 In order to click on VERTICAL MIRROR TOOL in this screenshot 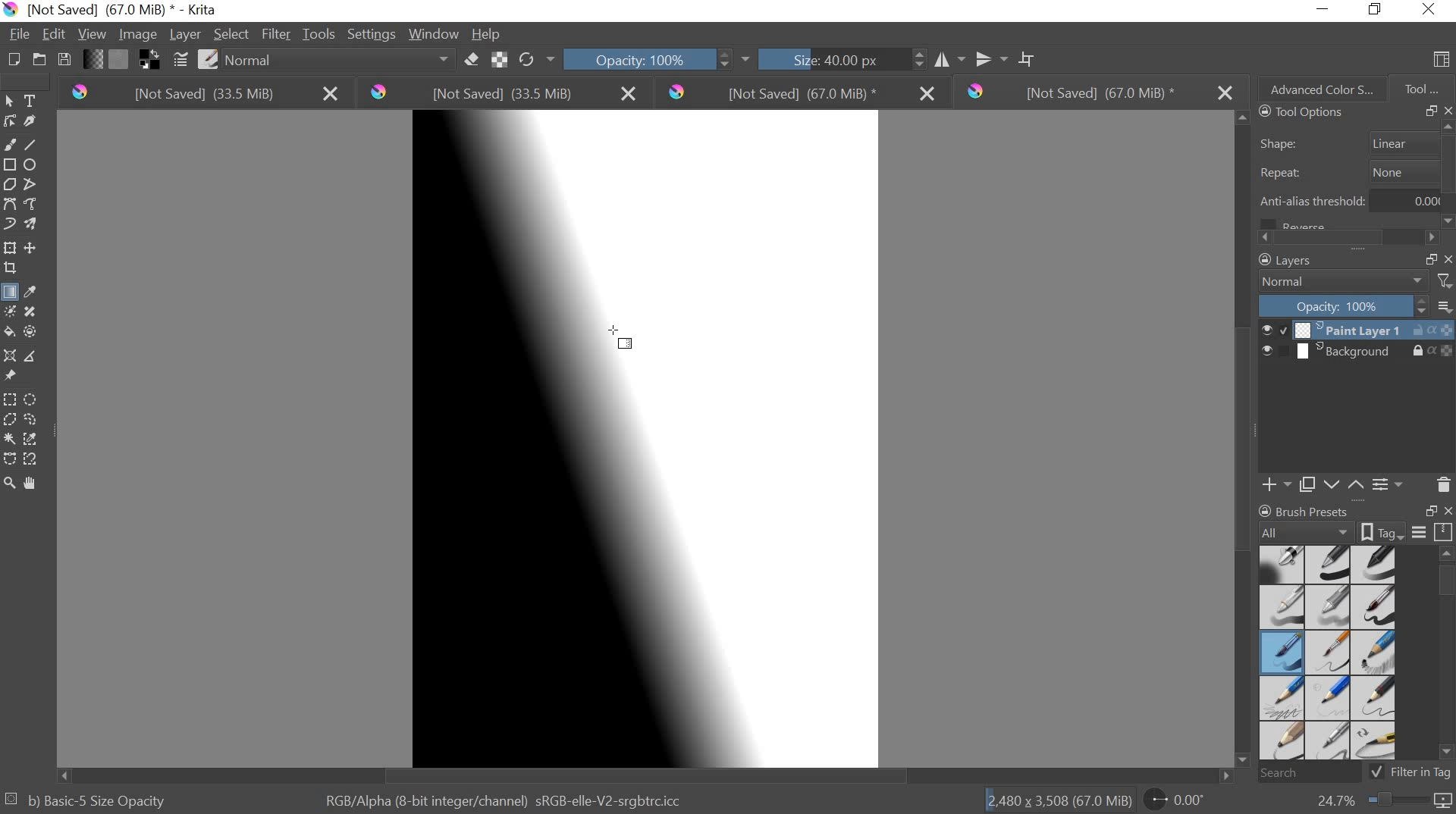, I will do `click(981, 56)`.